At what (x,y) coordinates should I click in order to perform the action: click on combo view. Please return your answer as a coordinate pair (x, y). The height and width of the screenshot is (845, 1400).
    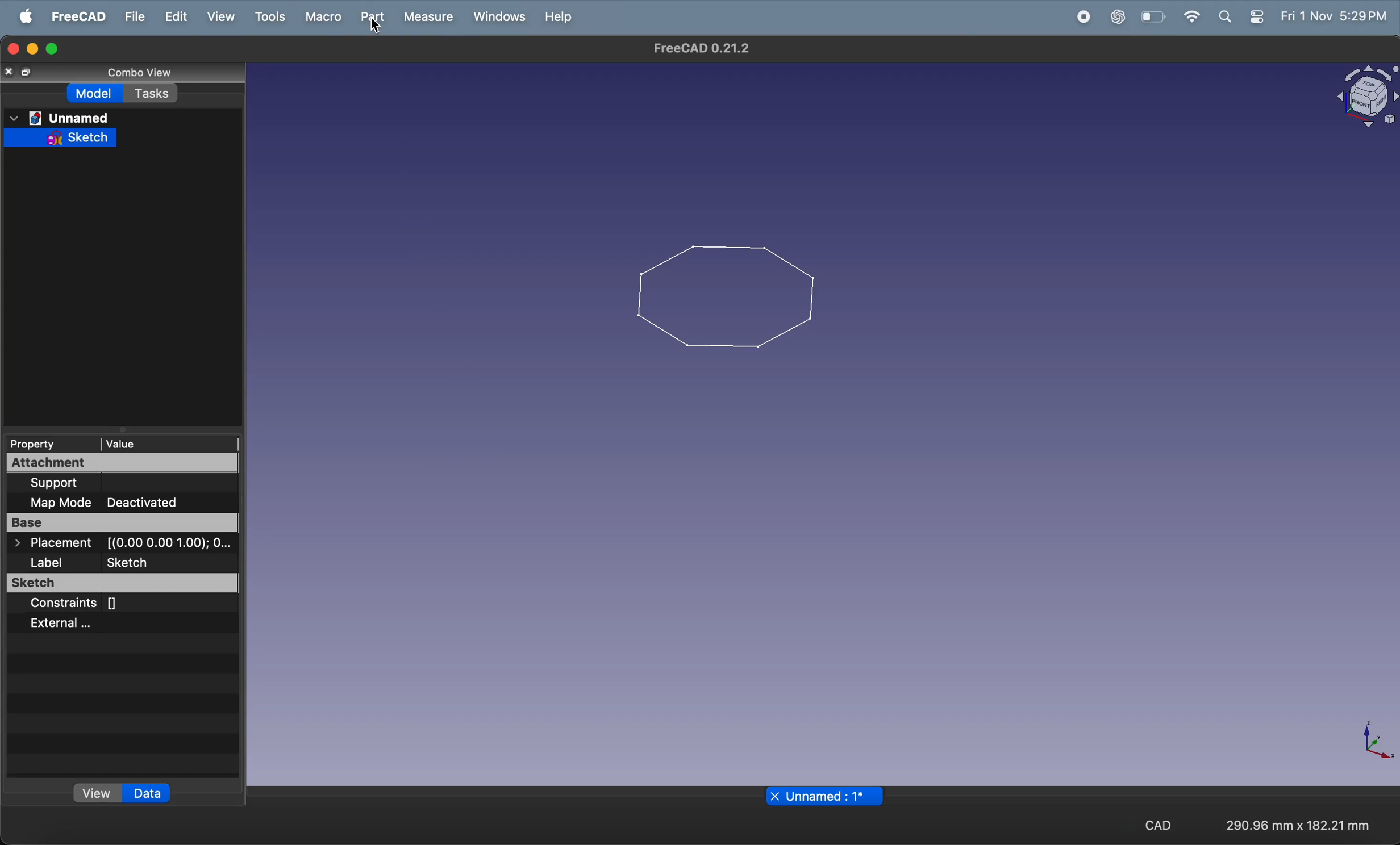
    Looking at the image, I should click on (137, 72).